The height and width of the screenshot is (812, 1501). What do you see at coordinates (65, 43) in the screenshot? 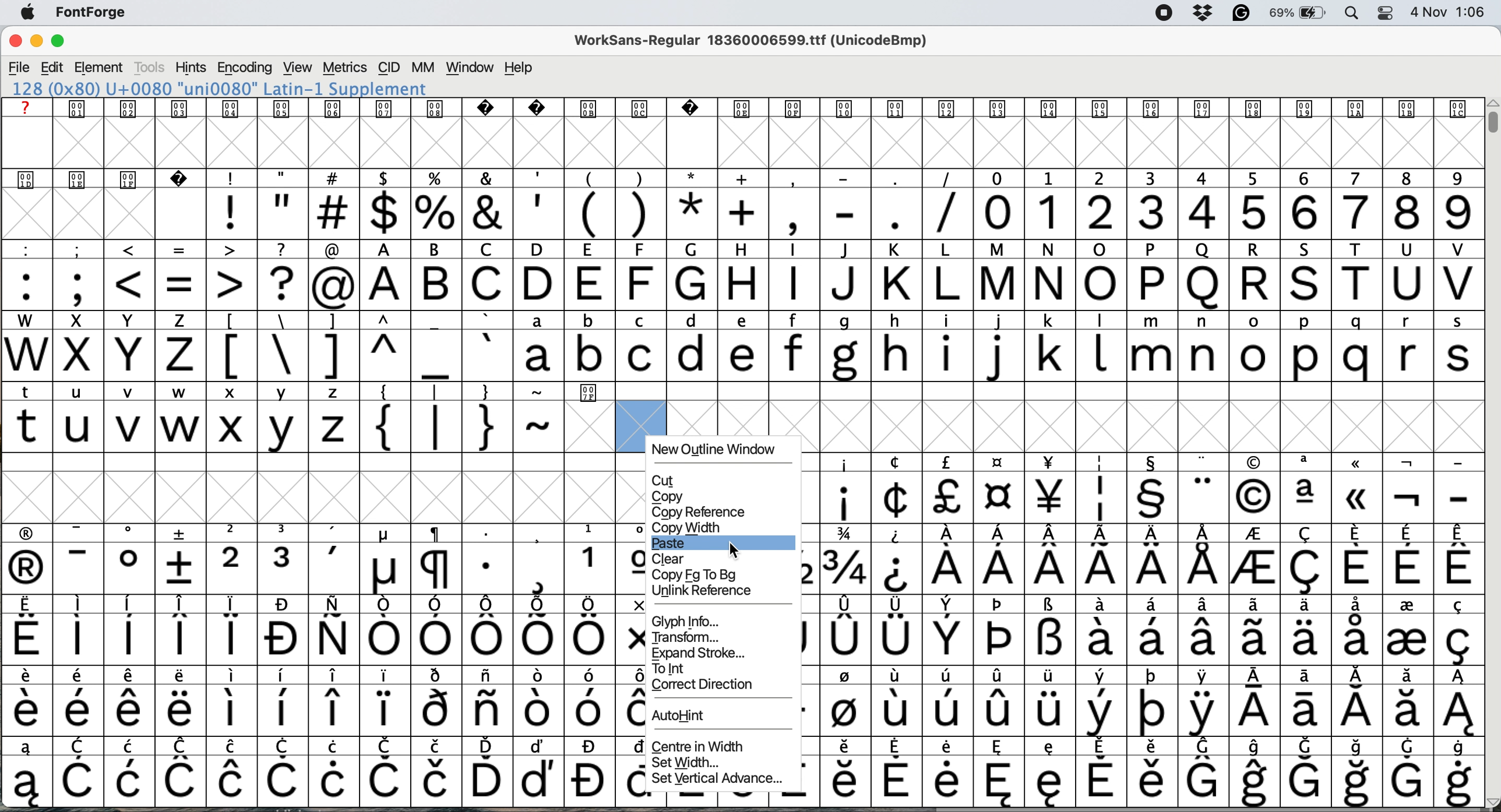
I see `maximise` at bounding box center [65, 43].